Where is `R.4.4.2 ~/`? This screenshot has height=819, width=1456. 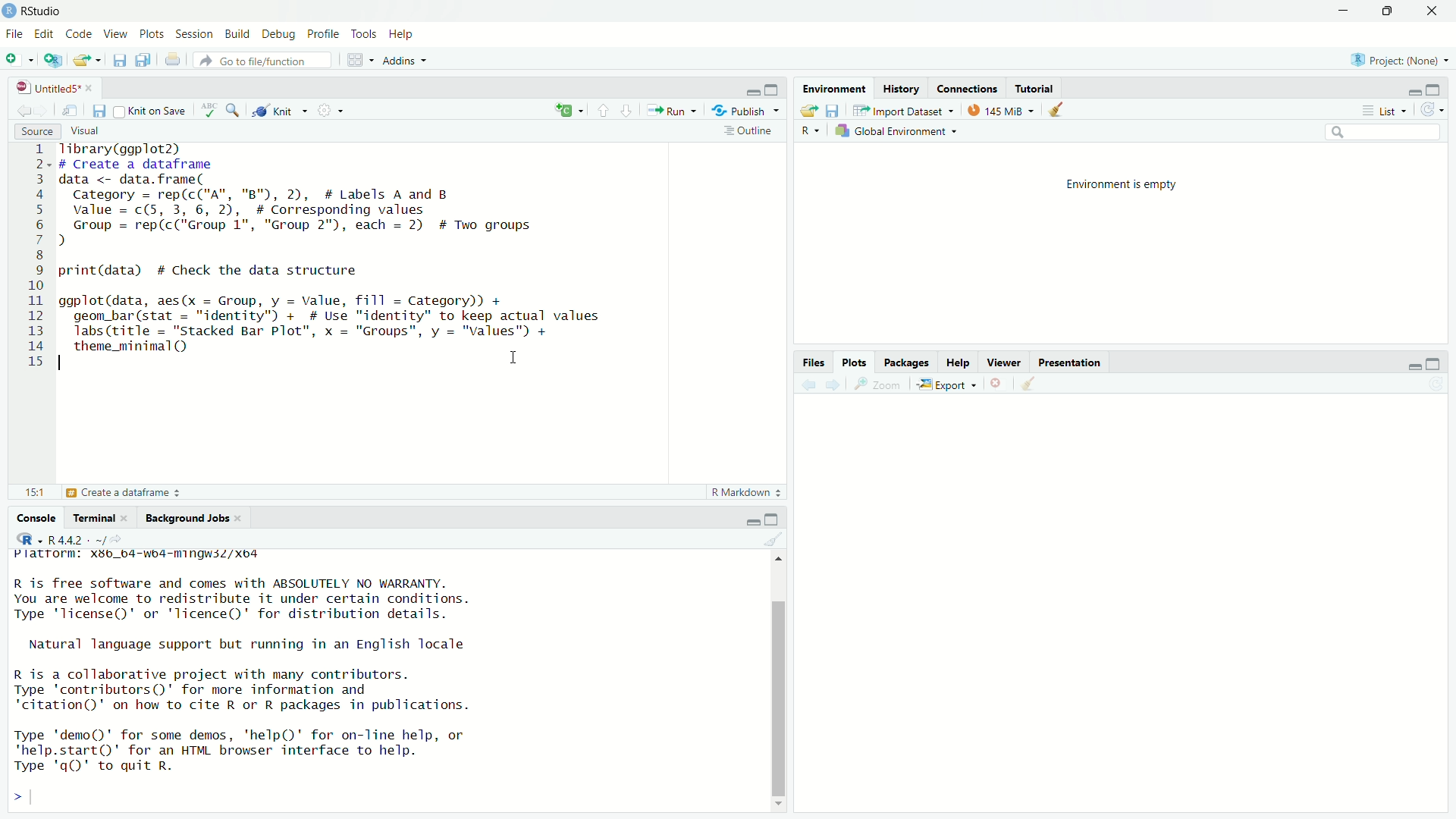
R.4.4.2 ~/ is located at coordinates (89, 538).